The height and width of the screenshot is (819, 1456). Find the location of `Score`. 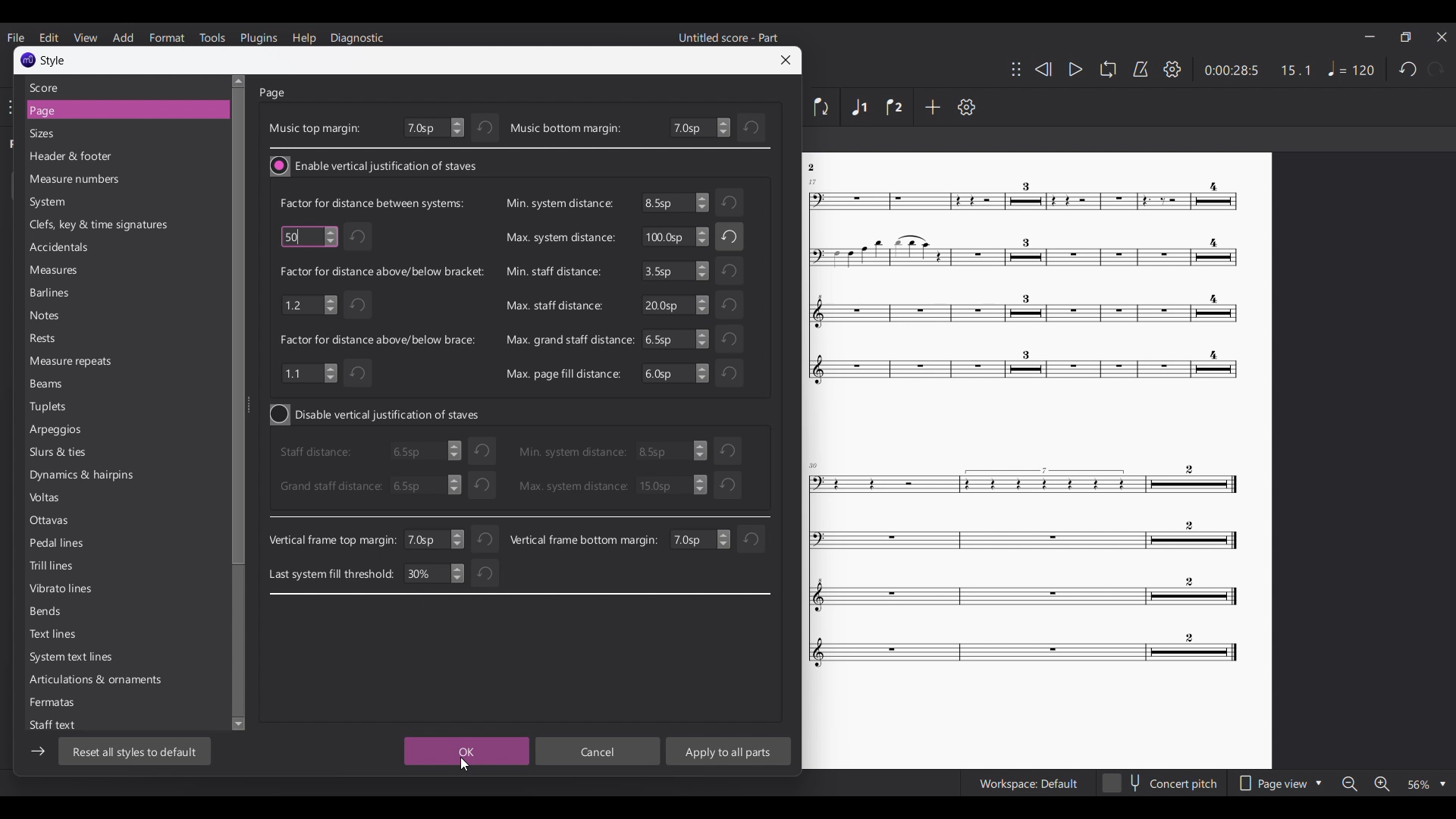

Score is located at coordinates (119, 87).